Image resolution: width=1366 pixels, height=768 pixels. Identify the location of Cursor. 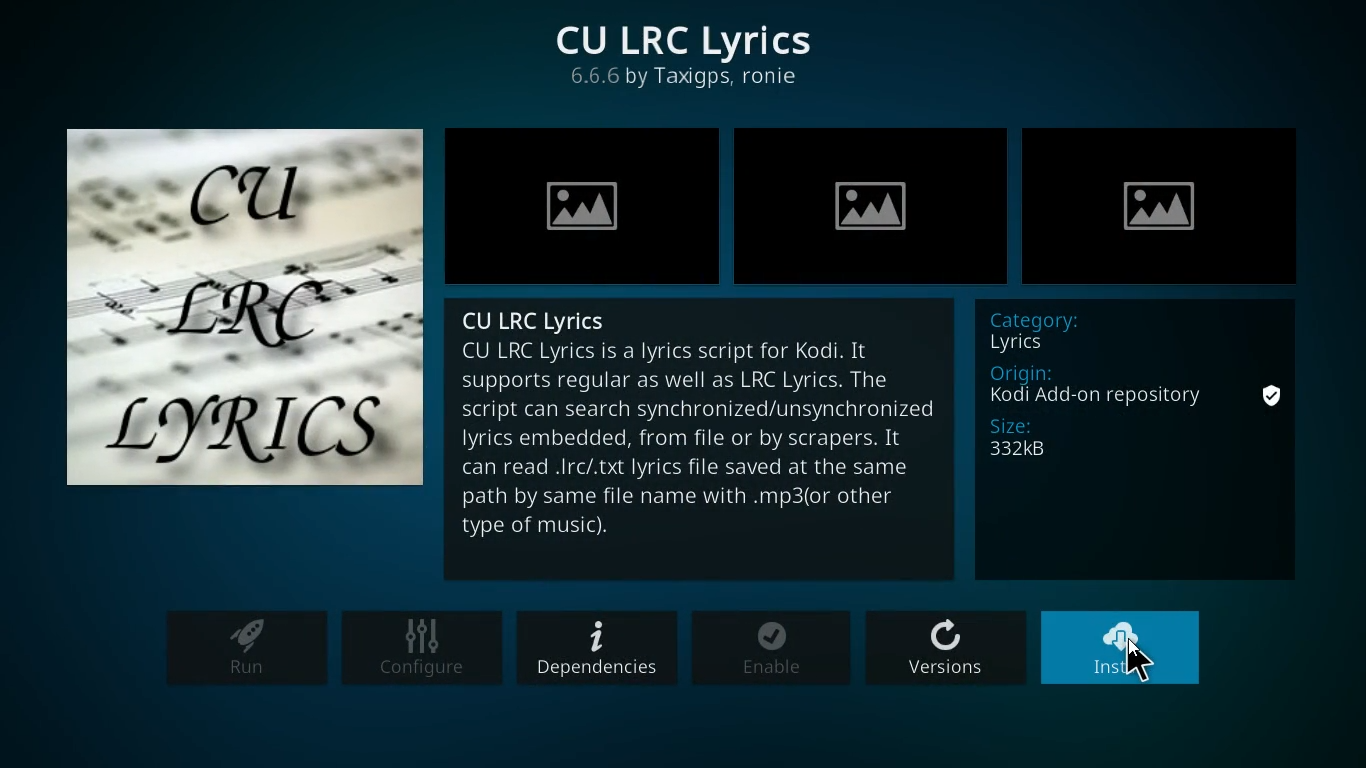
(1145, 658).